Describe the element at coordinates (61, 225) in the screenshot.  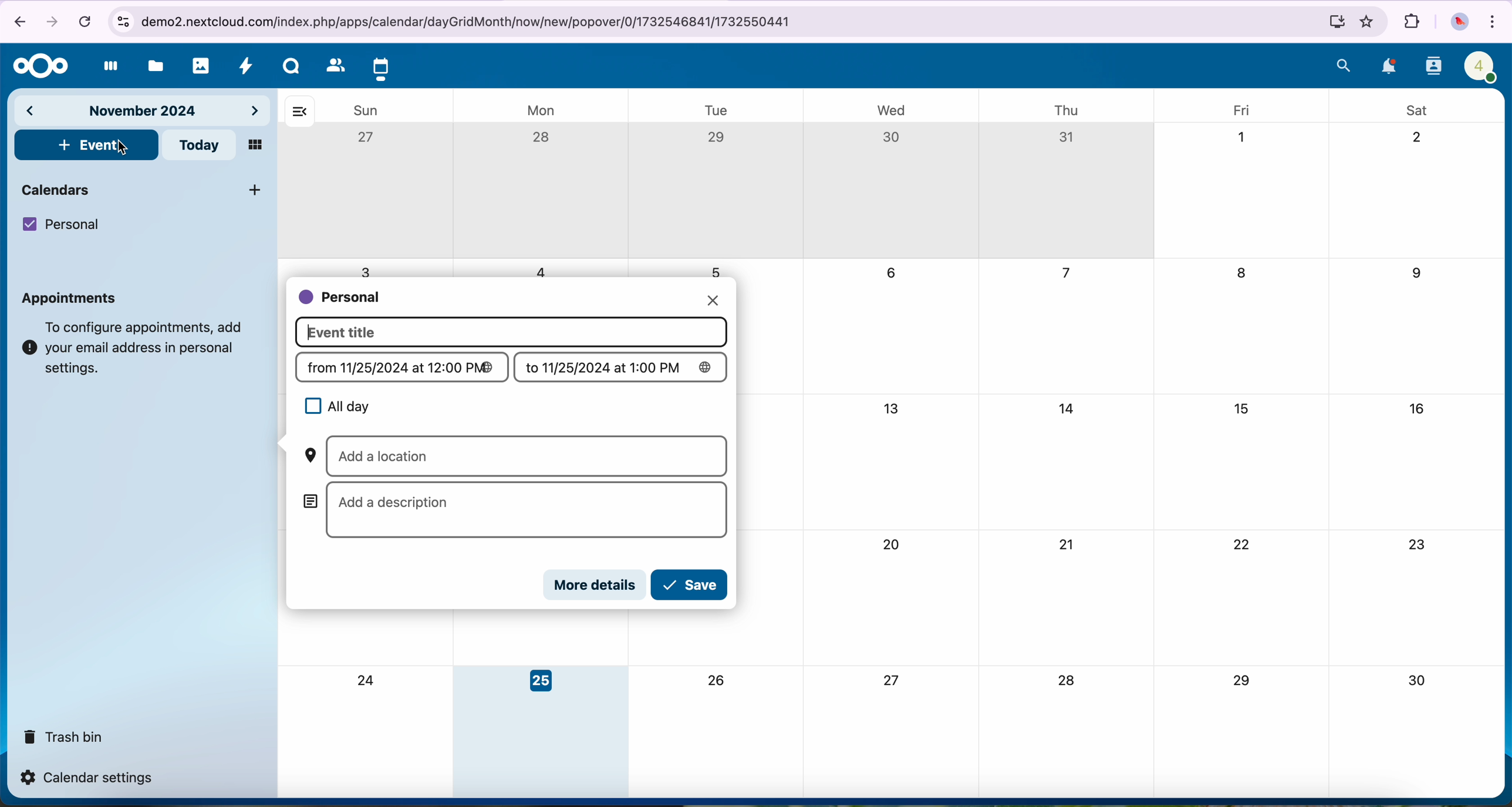
I see `personal` at that location.